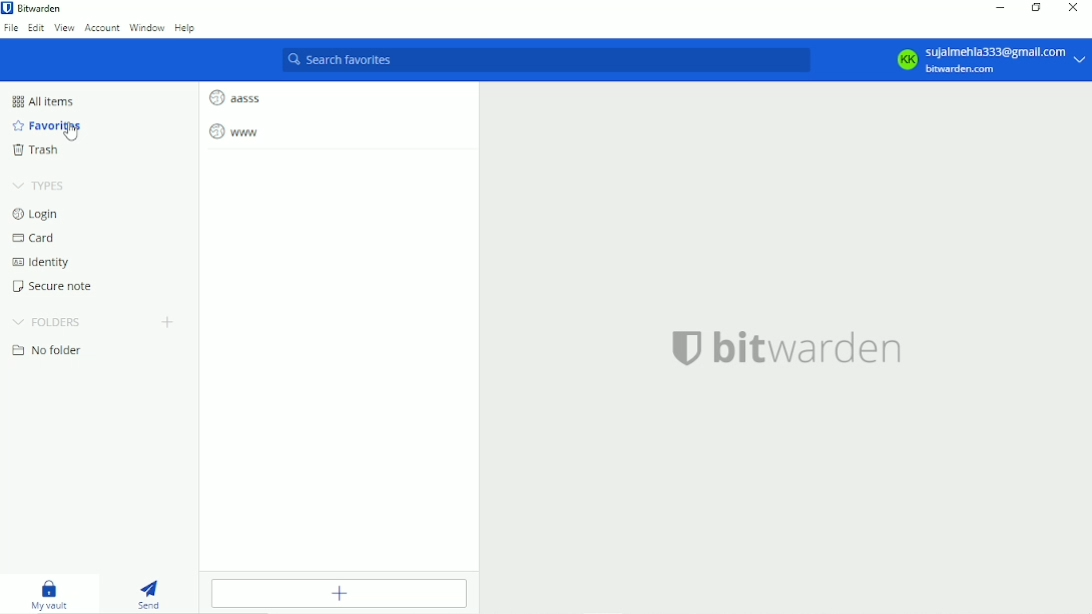 The height and width of the screenshot is (614, 1092). Describe the element at coordinates (35, 213) in the screenshot. I see `Login` at that location.